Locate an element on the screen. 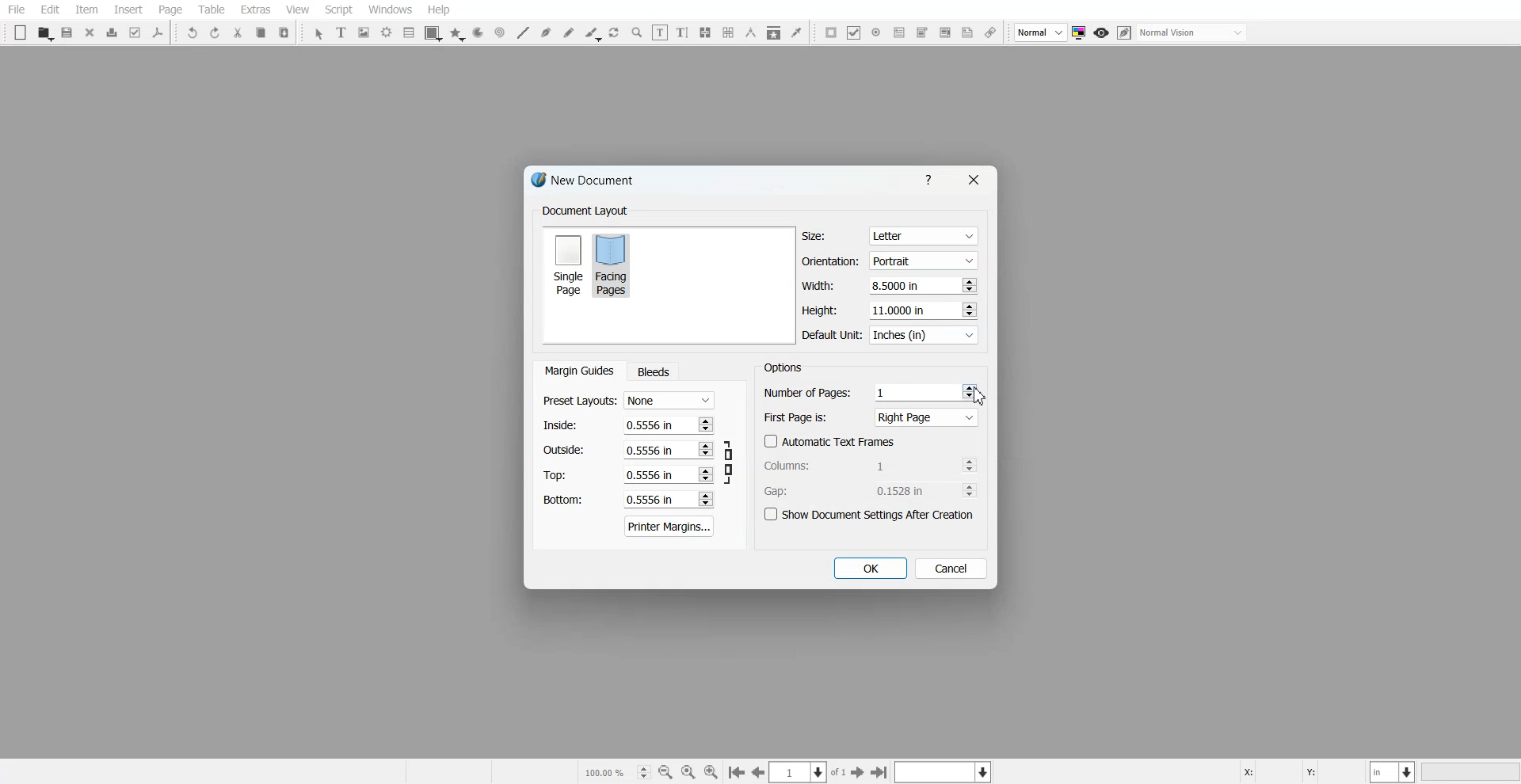  Inches is located at coordinates (924, 336).